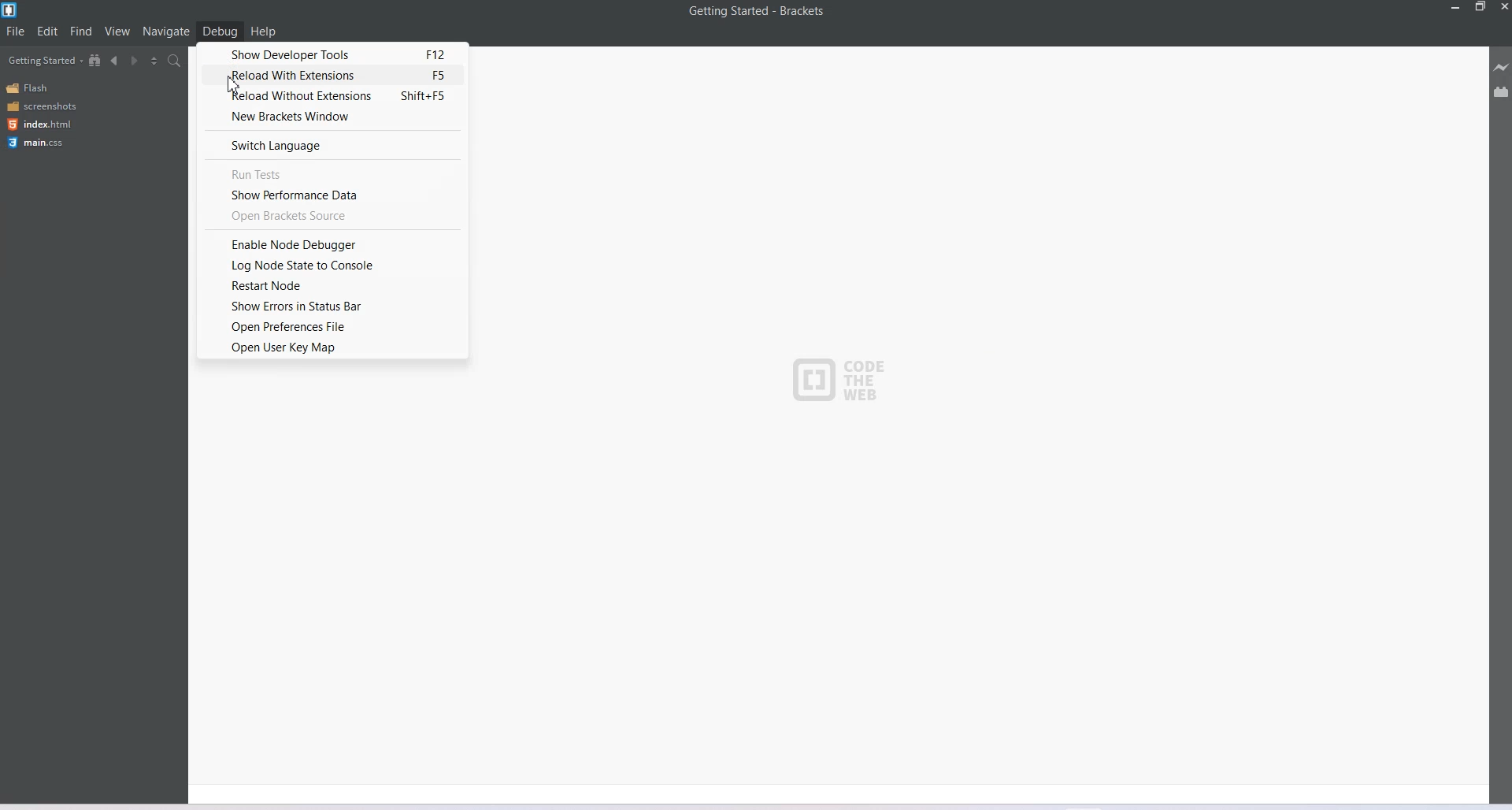  I want to click on Run tests, so click(332, 174).